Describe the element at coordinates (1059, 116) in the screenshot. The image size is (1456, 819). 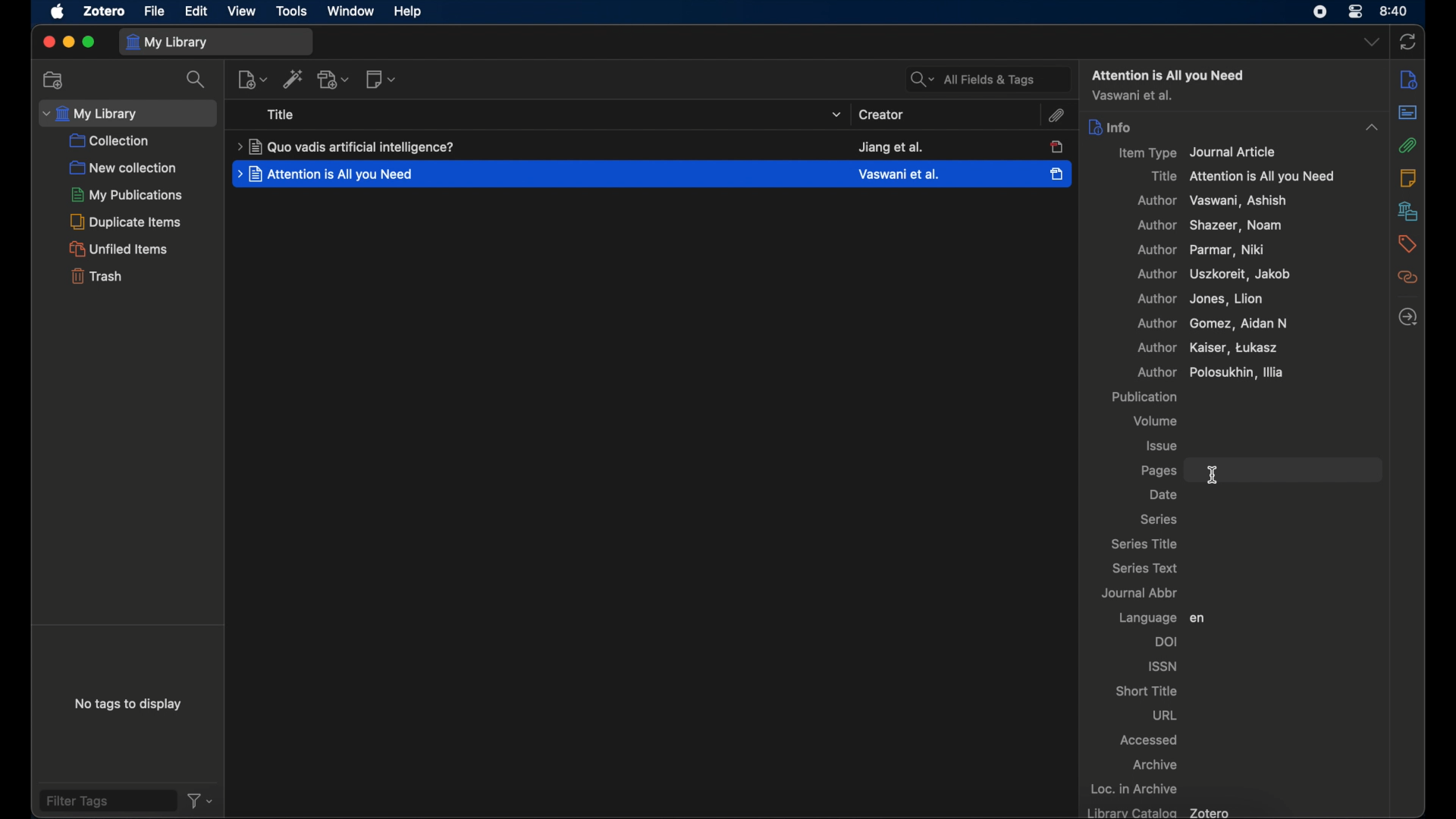
I see `attachment` at that location.